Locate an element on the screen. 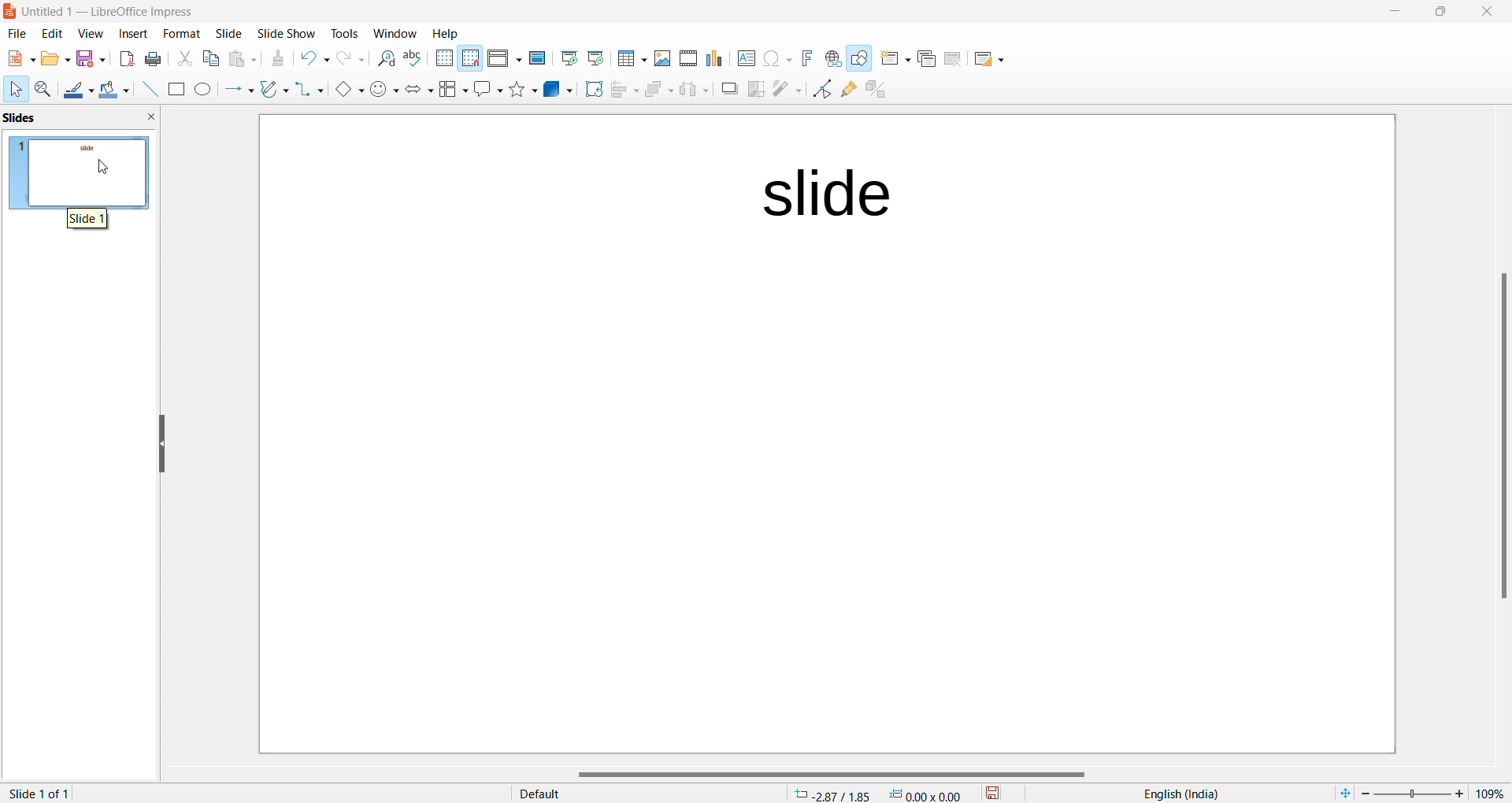 Image resolution: width=1512 pixels, height=803 pixels. current window: Untitled 1 — LibreOffice Impress is located at coordinates (105, 13).